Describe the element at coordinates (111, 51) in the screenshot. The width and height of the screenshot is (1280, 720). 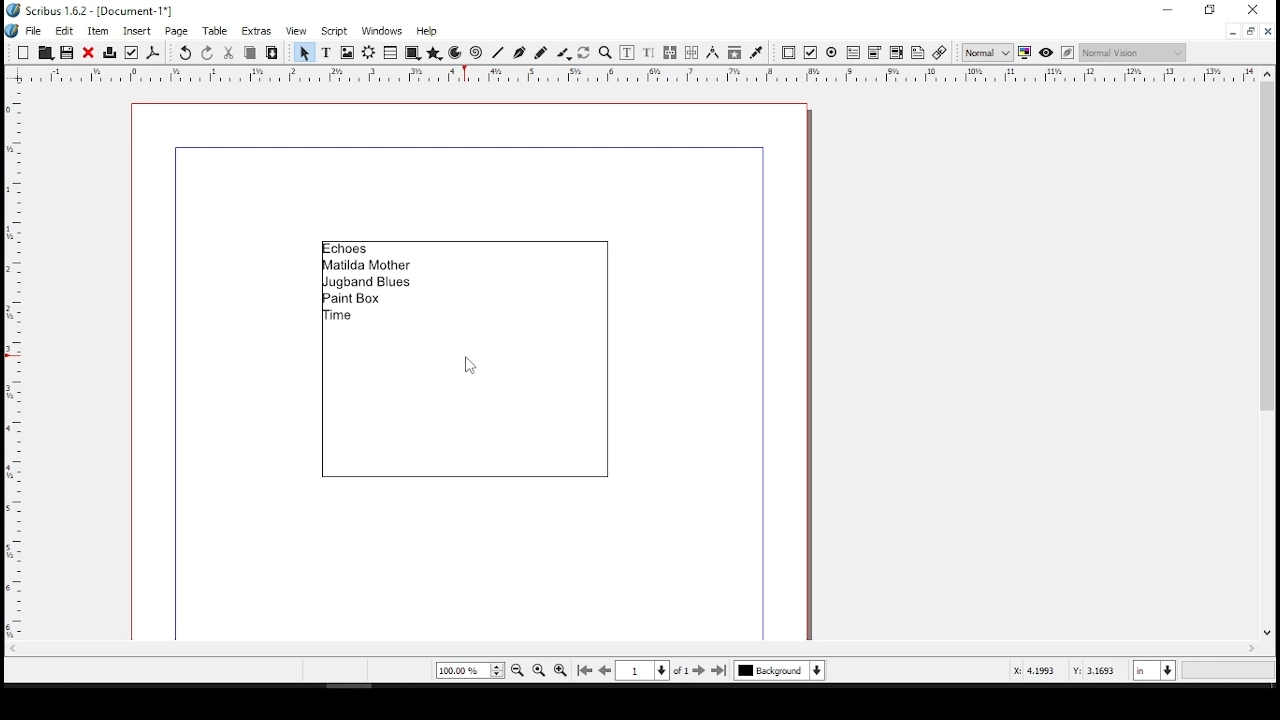
I see `print` at that location.